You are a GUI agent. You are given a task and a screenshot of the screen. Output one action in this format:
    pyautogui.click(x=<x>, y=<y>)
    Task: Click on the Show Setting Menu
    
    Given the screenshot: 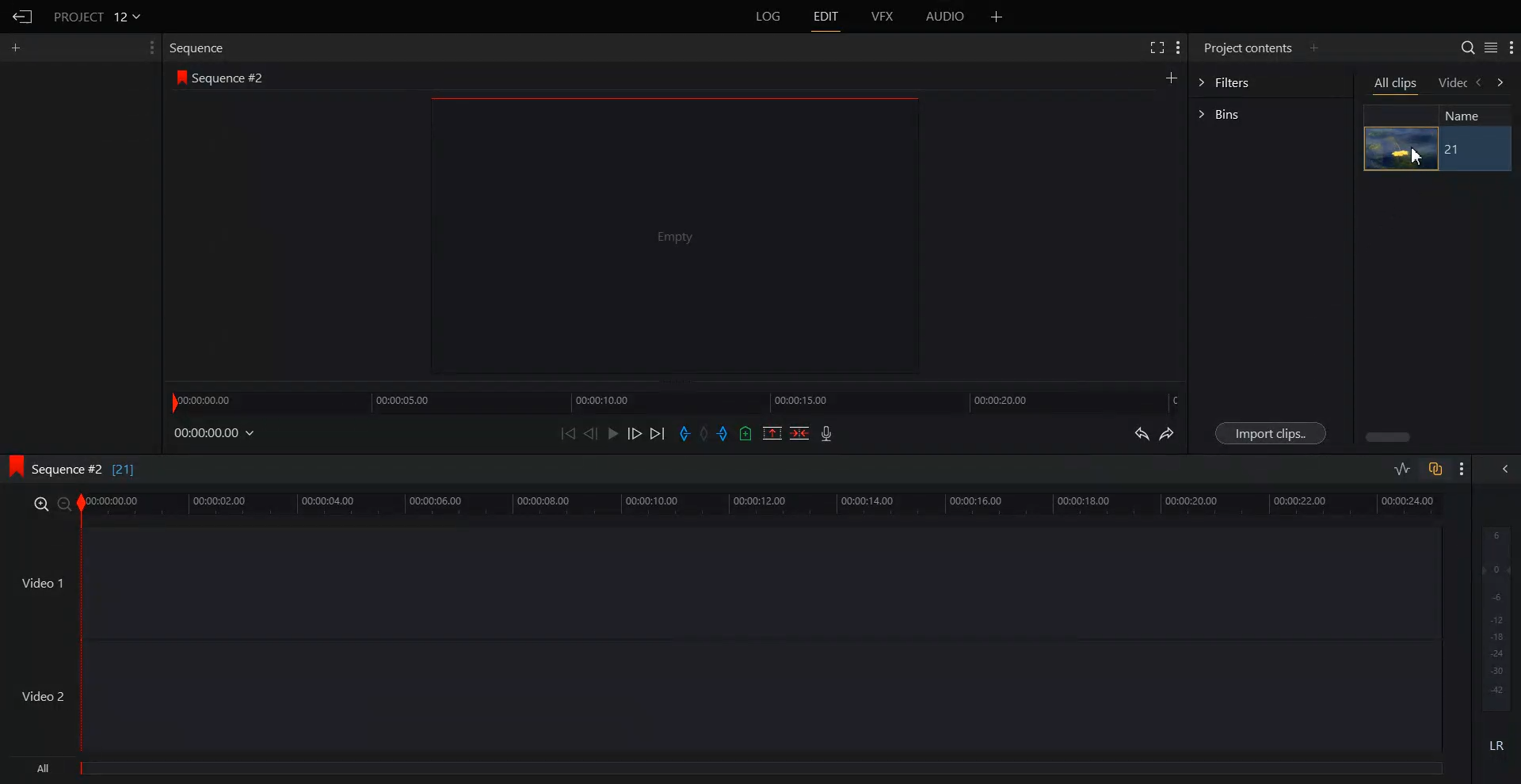 What is the action you would take?
    pyautogui.click(x=1460, y=470)
    